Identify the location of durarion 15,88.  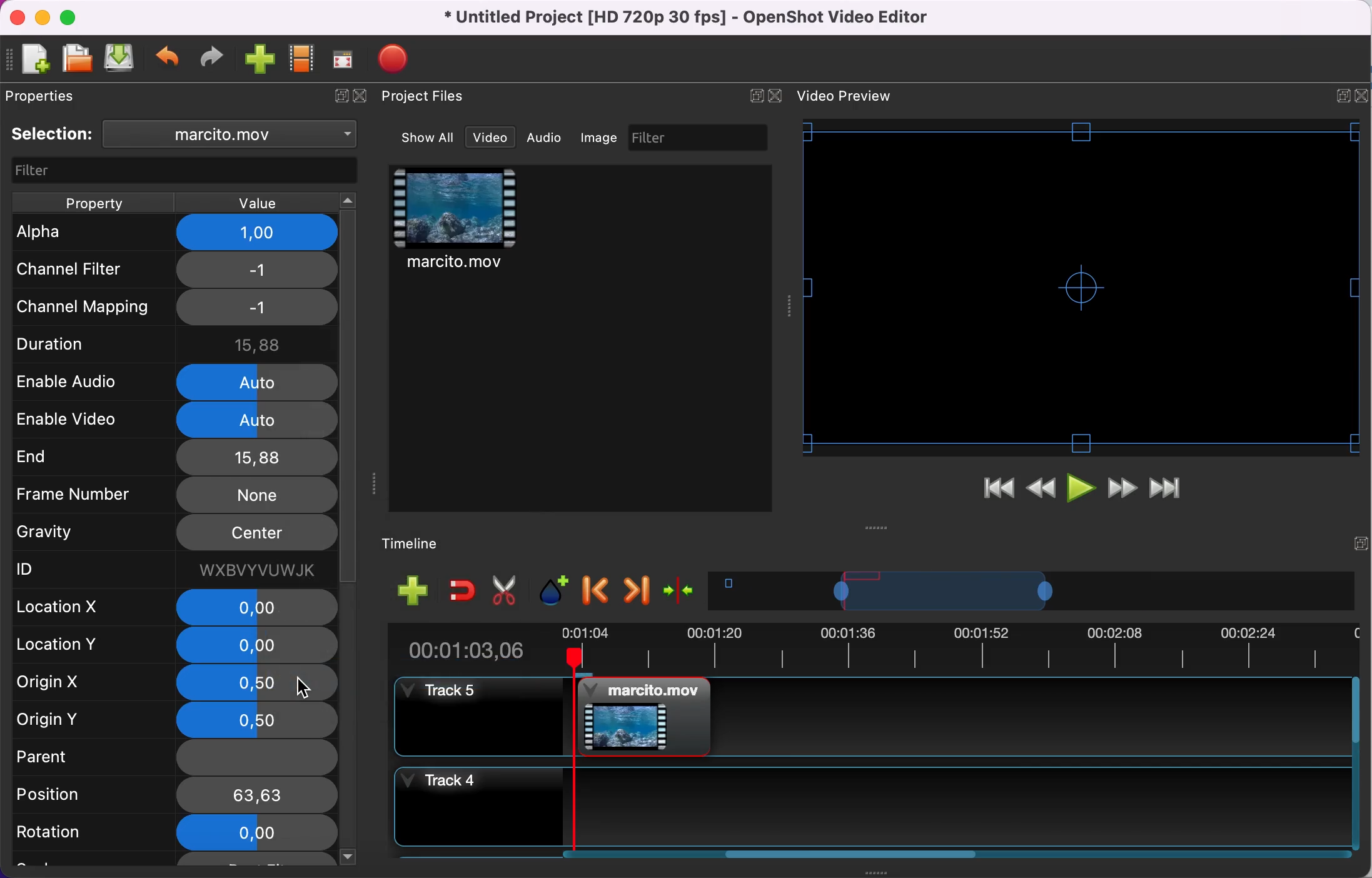
(177, 342).